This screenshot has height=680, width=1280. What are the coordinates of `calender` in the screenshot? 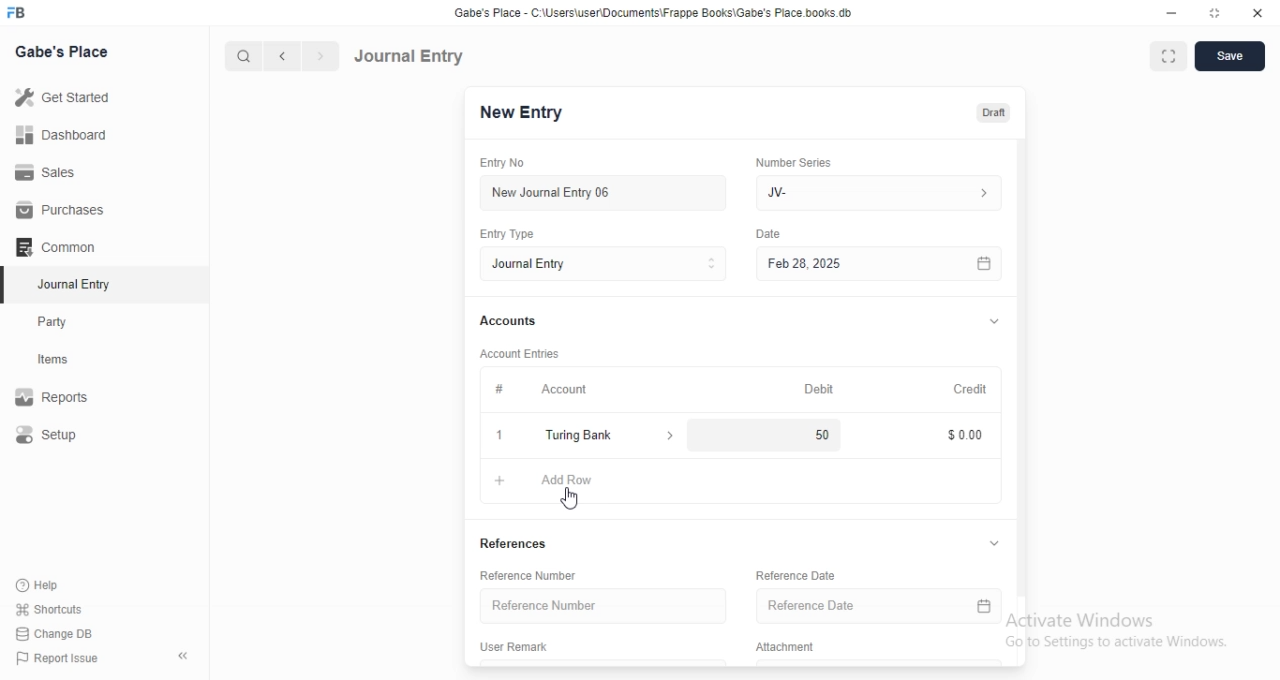 It's located at (985, 609).